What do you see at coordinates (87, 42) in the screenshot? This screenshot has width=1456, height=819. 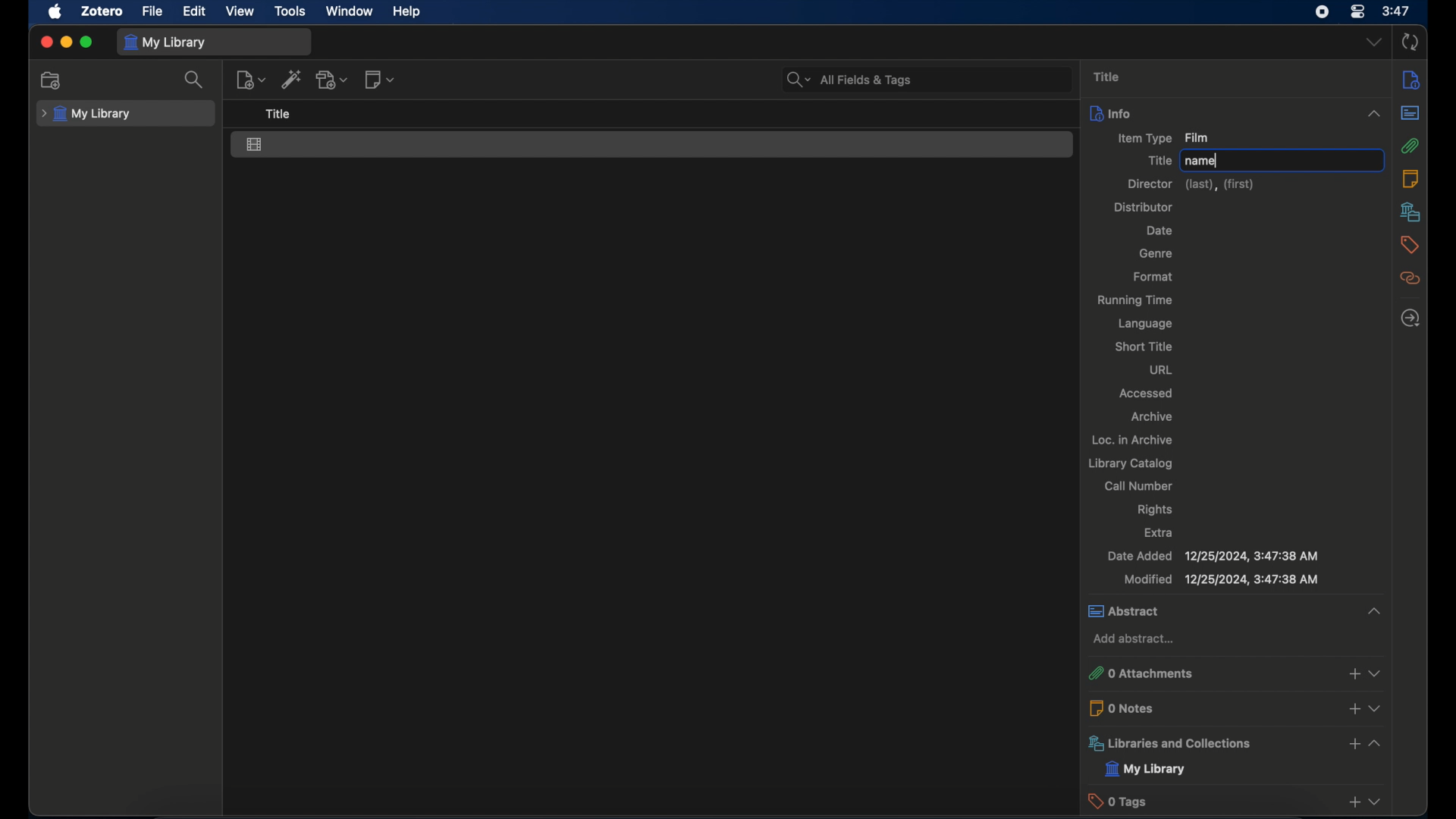 I see `maximize` at bounding box center [87, 42].